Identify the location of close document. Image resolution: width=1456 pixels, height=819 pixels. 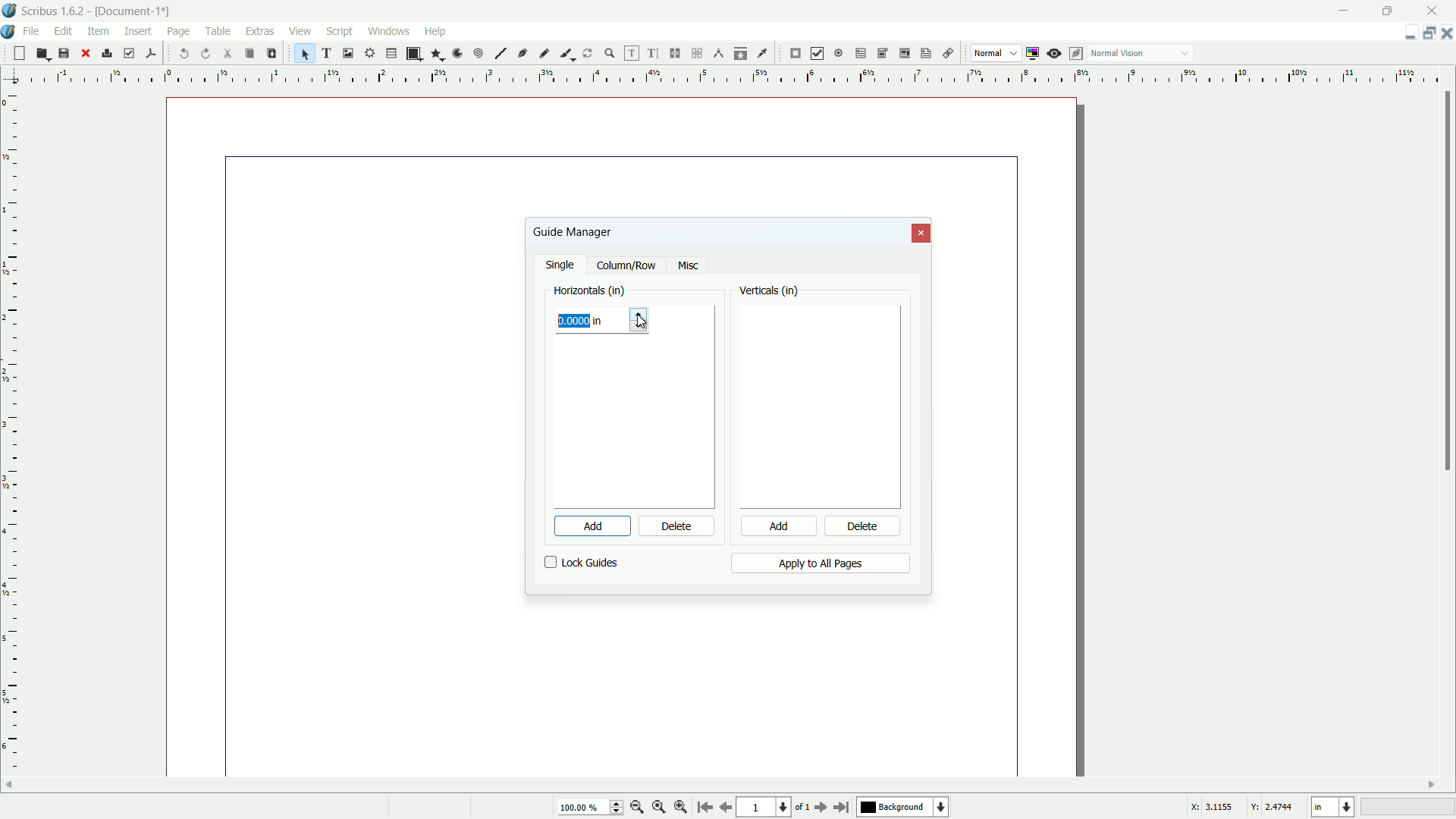
(1447, 33).